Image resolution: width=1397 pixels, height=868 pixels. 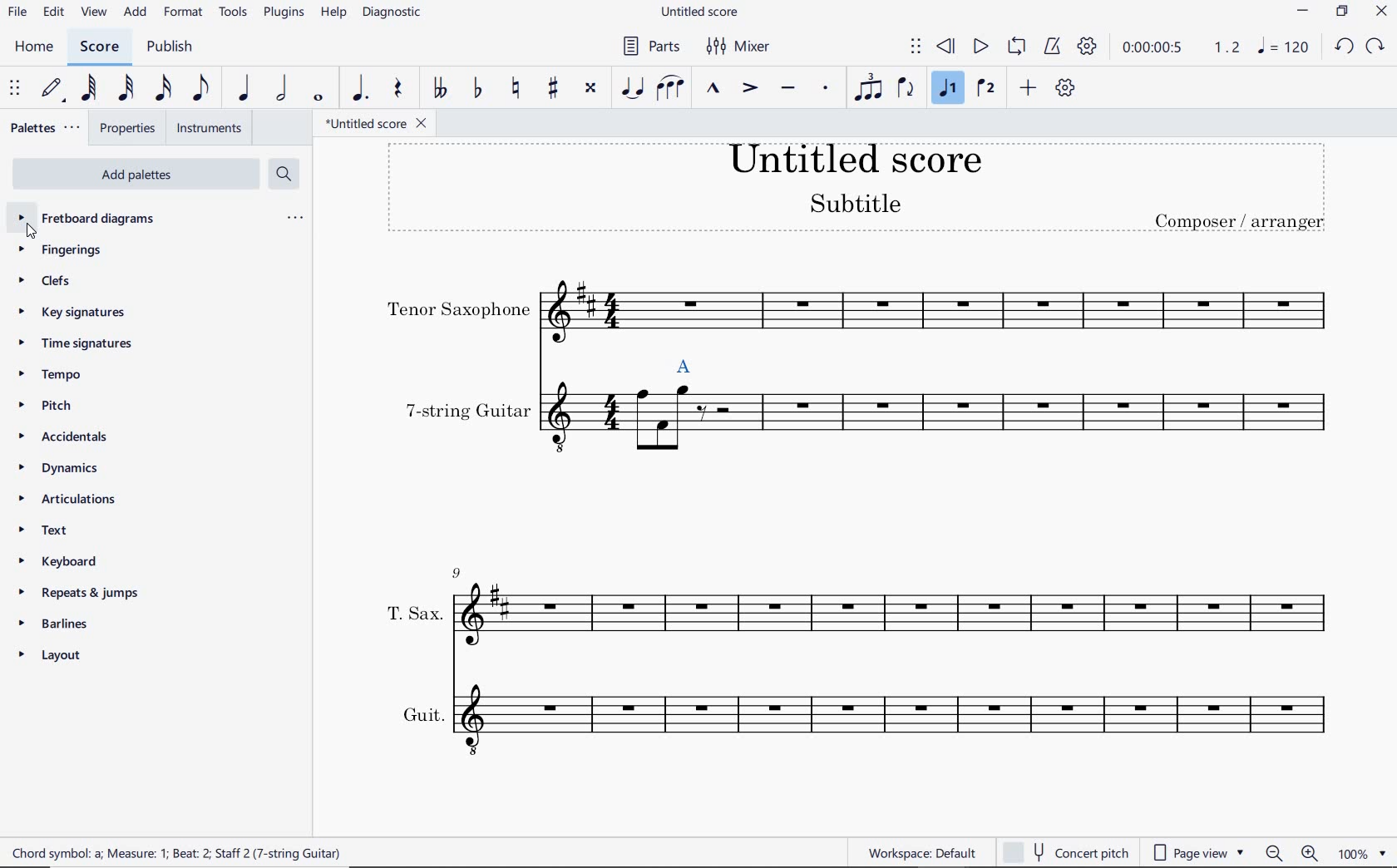 What do you see at coordinates (58, 373) in the screenshot?
I see `TEMPO` at bounding box center [58, 373].